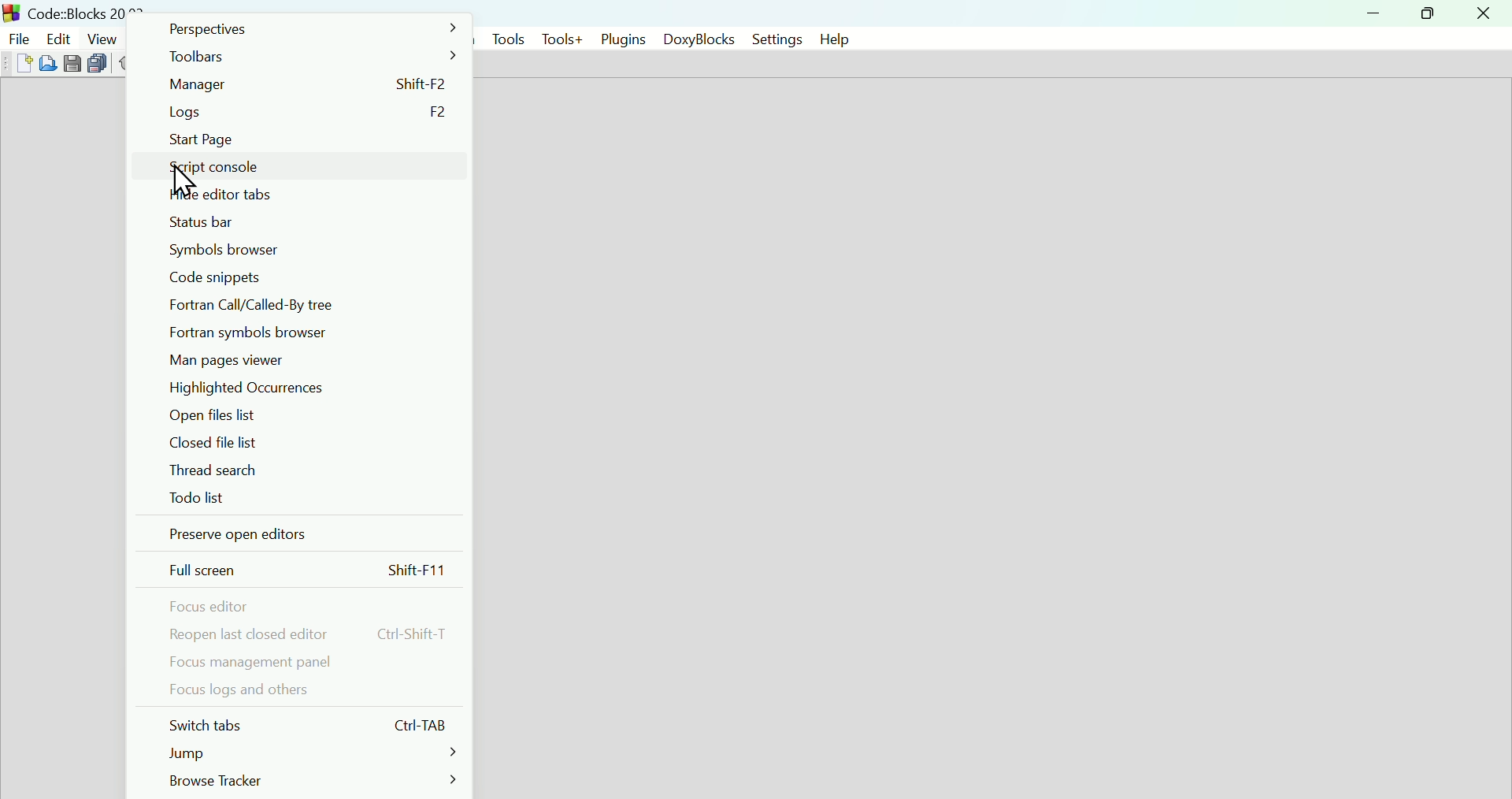 This screenshot has height=799, width=1512. I want to click on reopen last closed editor, so click(307, 634).